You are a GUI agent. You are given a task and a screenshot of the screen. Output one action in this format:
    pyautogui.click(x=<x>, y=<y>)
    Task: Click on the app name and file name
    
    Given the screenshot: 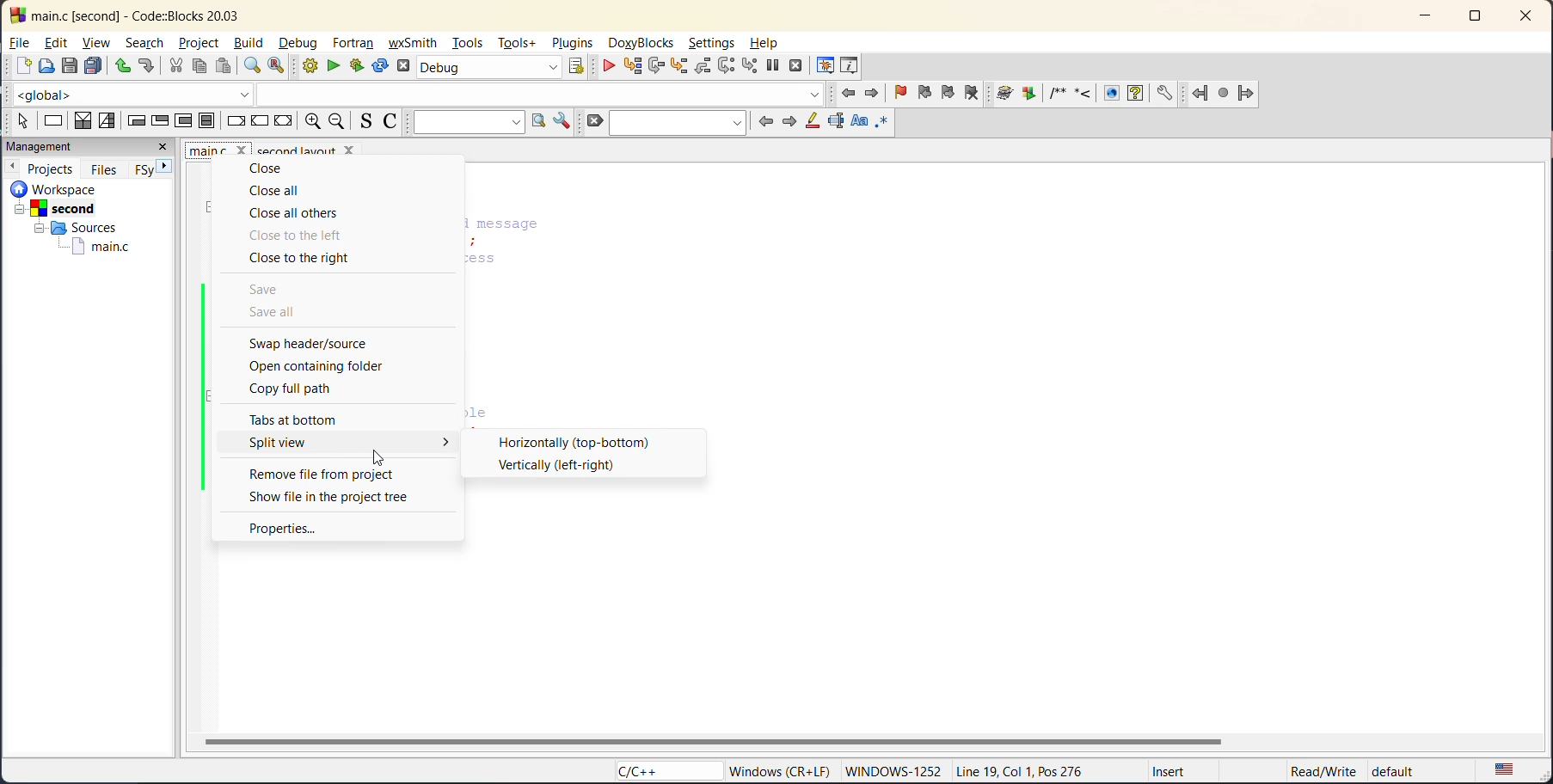 What is the action you would take?
    pyautogui.click(x=164, y=14)
    